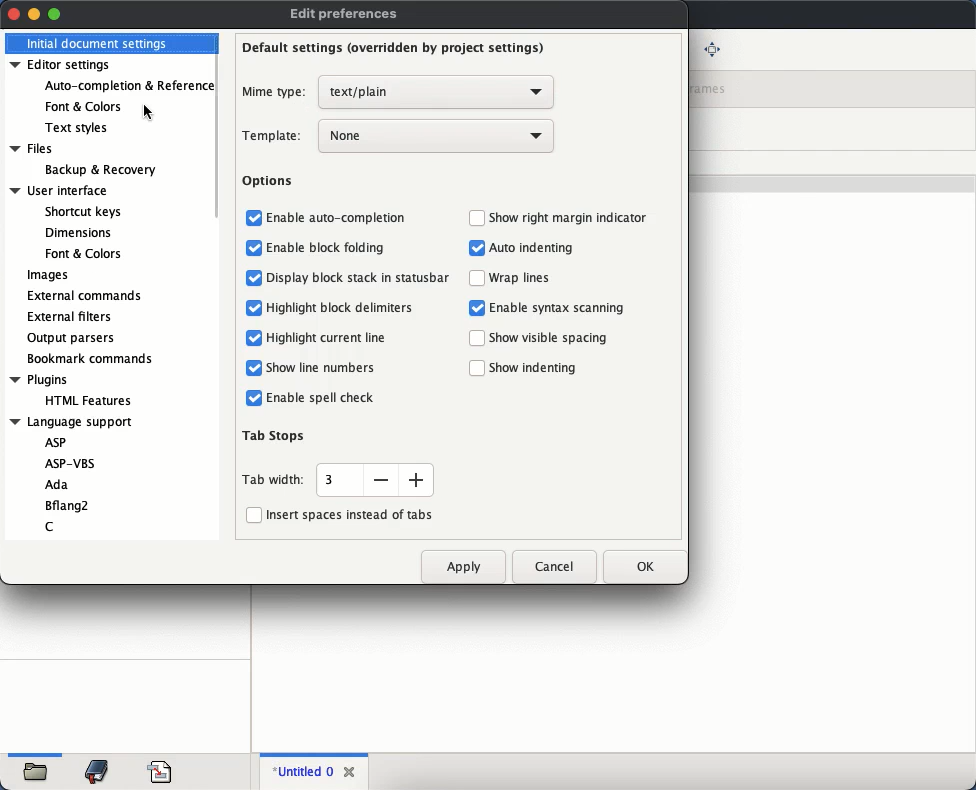  Describe the element at coordinates (554, 567) in the screenshot. I see `cancel` at that location.